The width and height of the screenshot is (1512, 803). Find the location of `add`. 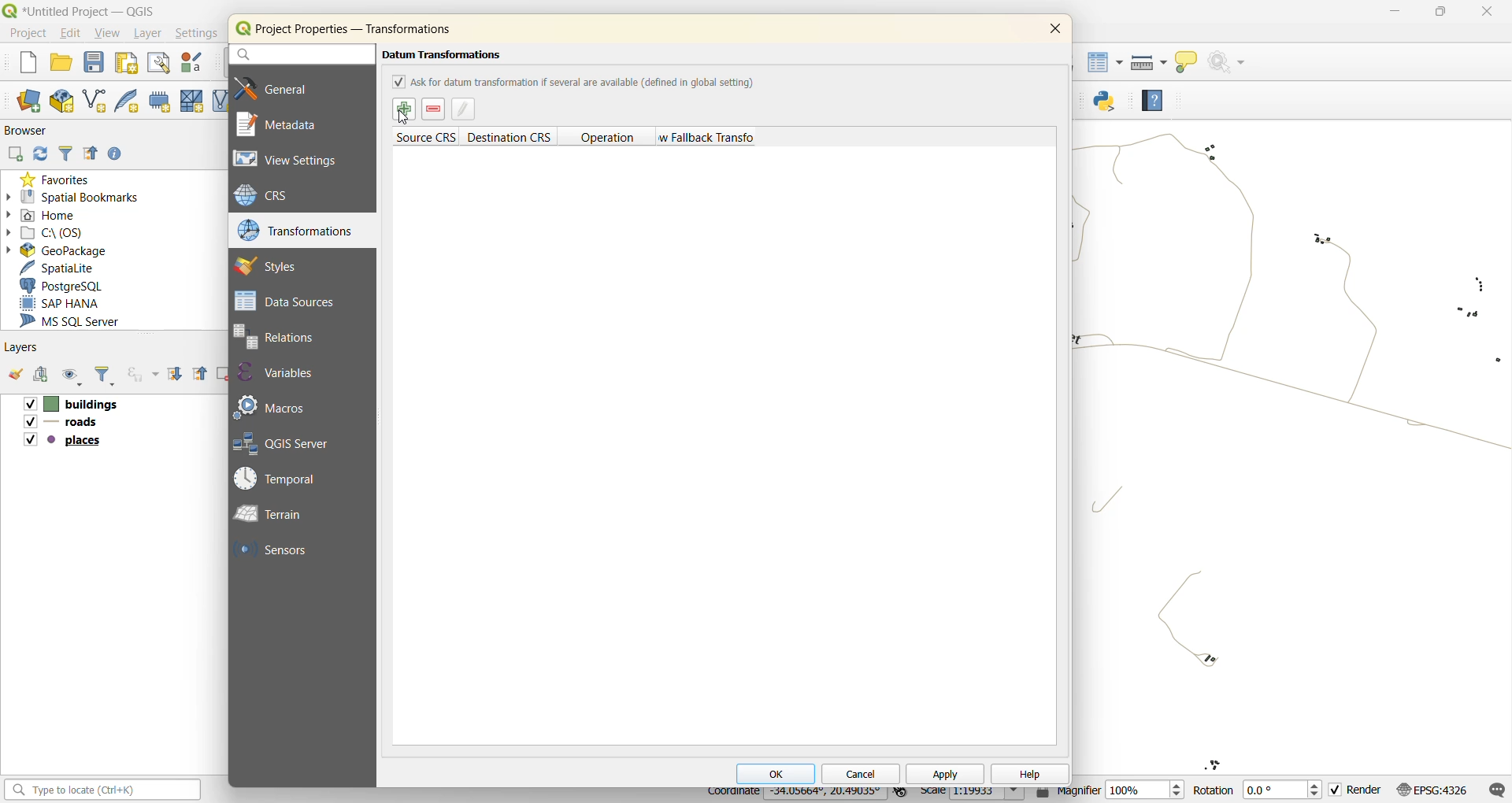

add is located at coordinates (39, 373).